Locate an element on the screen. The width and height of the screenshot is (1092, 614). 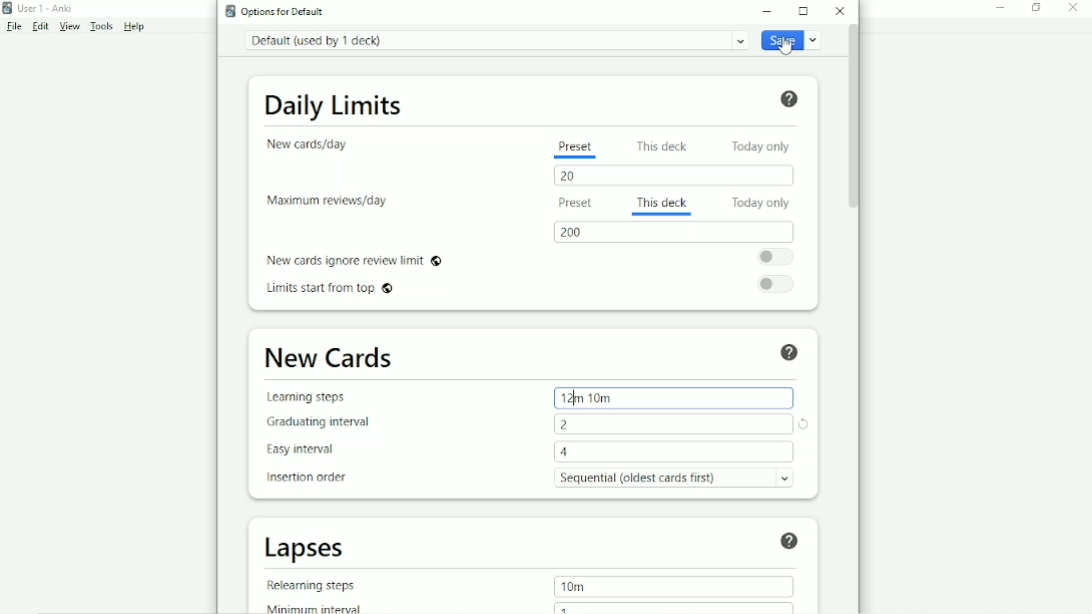
Relearning steps is located at coordinates (311, 585).